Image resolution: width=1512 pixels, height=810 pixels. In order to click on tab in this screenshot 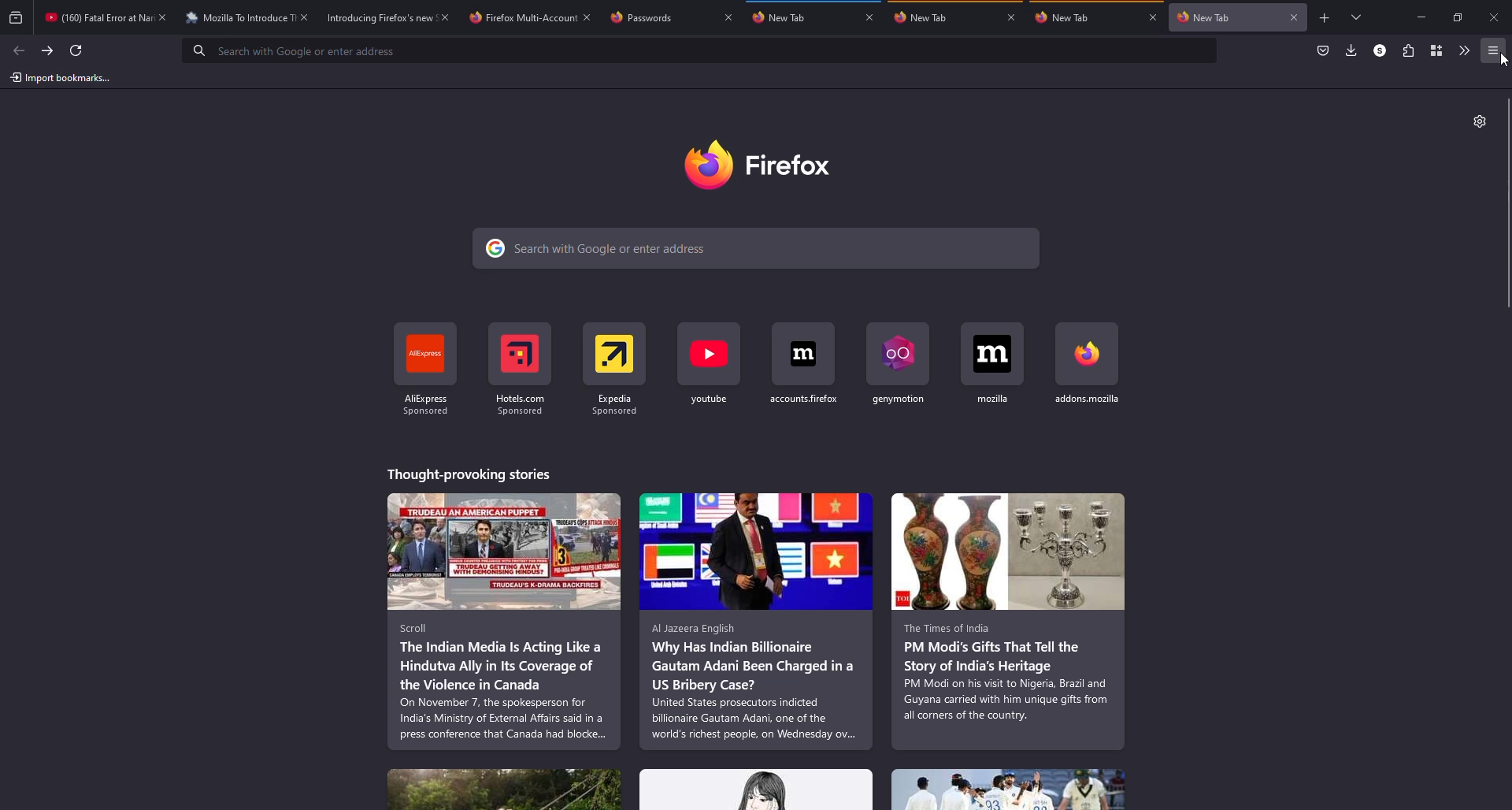, I will do `click(641, 17)`.